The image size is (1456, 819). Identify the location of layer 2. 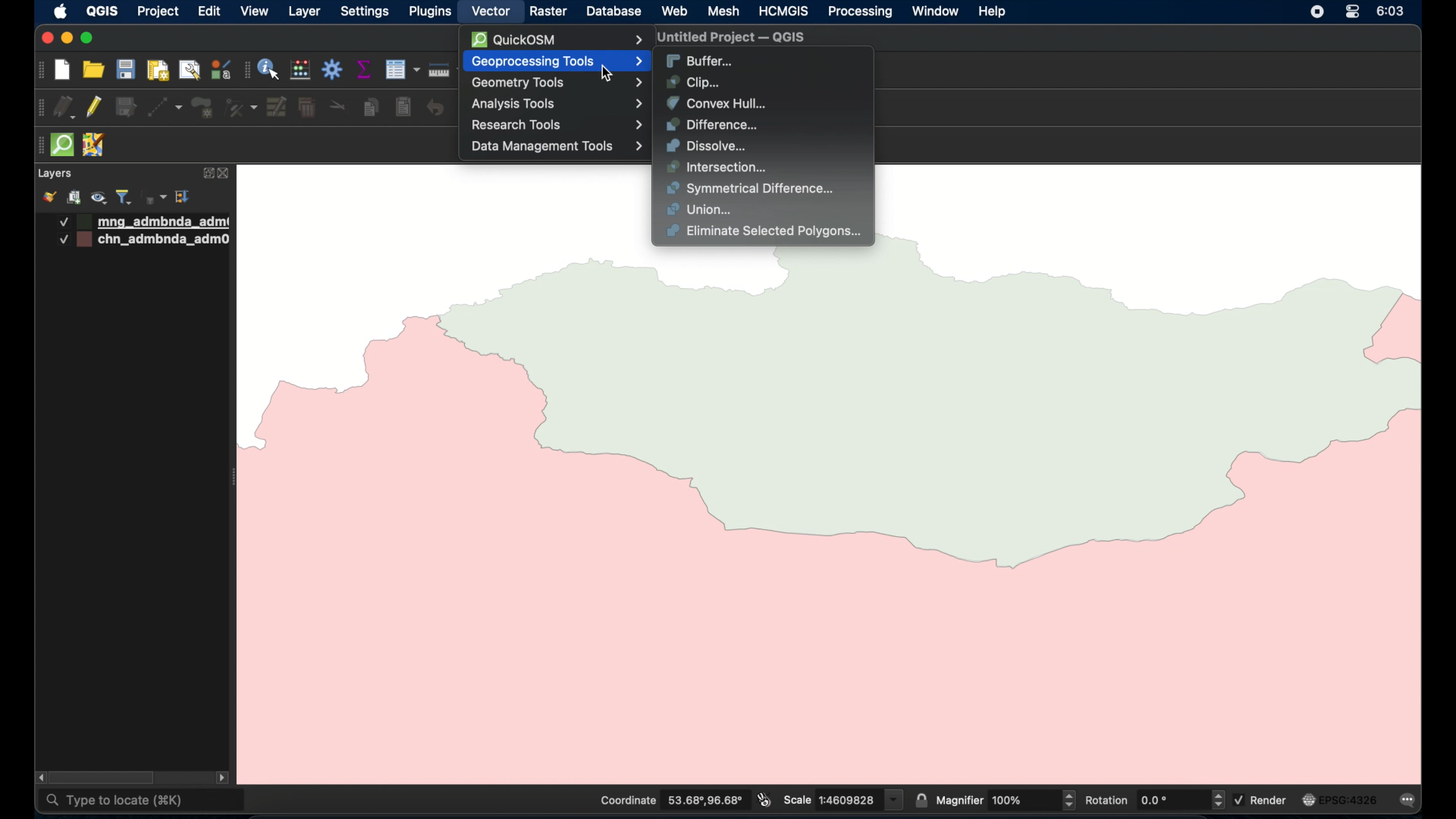
(146, 240).